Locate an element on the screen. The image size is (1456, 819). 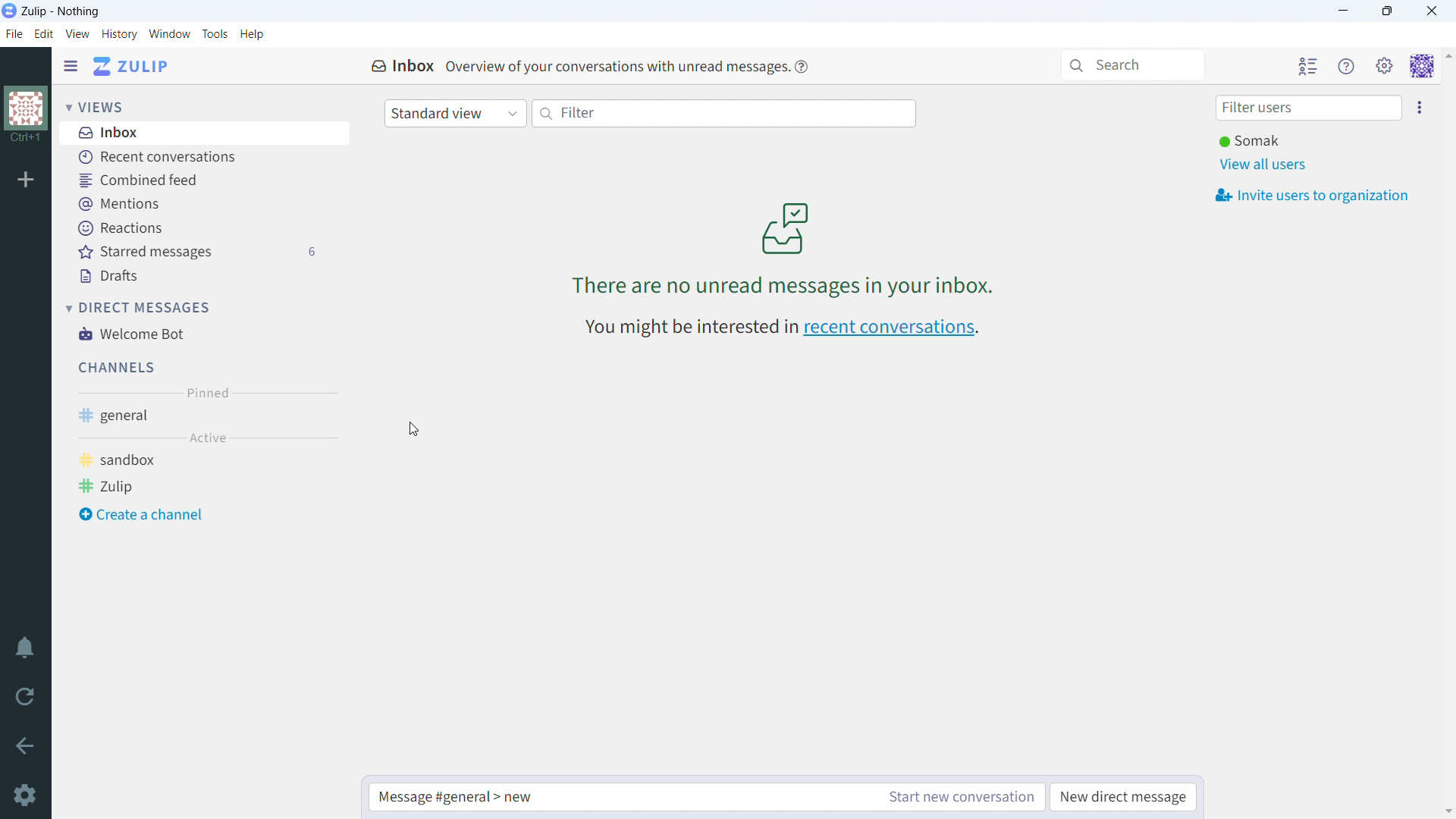
inbox is located at coordinates (194, 134).